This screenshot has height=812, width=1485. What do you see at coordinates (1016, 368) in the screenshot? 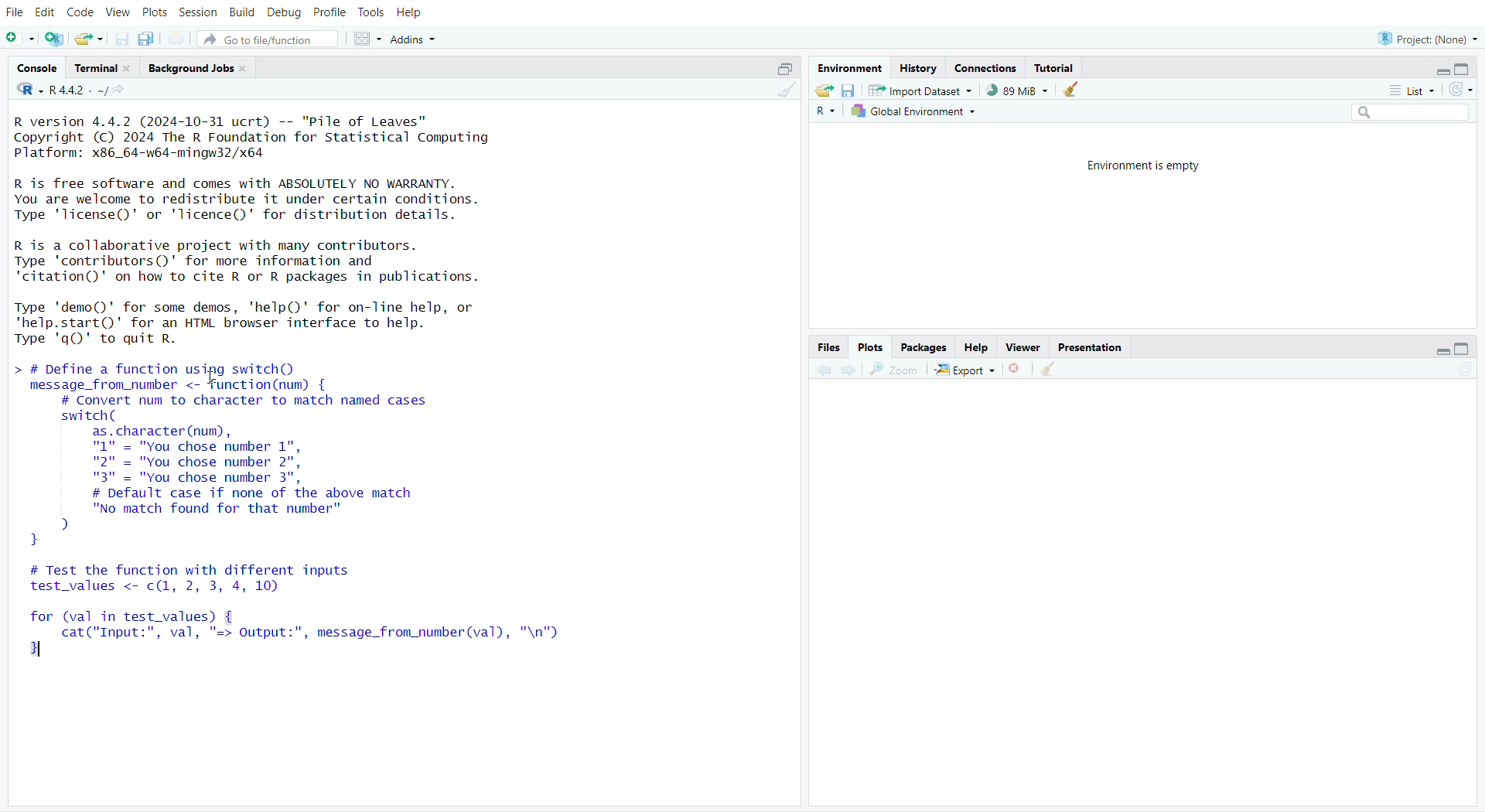
I see `Close` at bounding box center [1016, 368].